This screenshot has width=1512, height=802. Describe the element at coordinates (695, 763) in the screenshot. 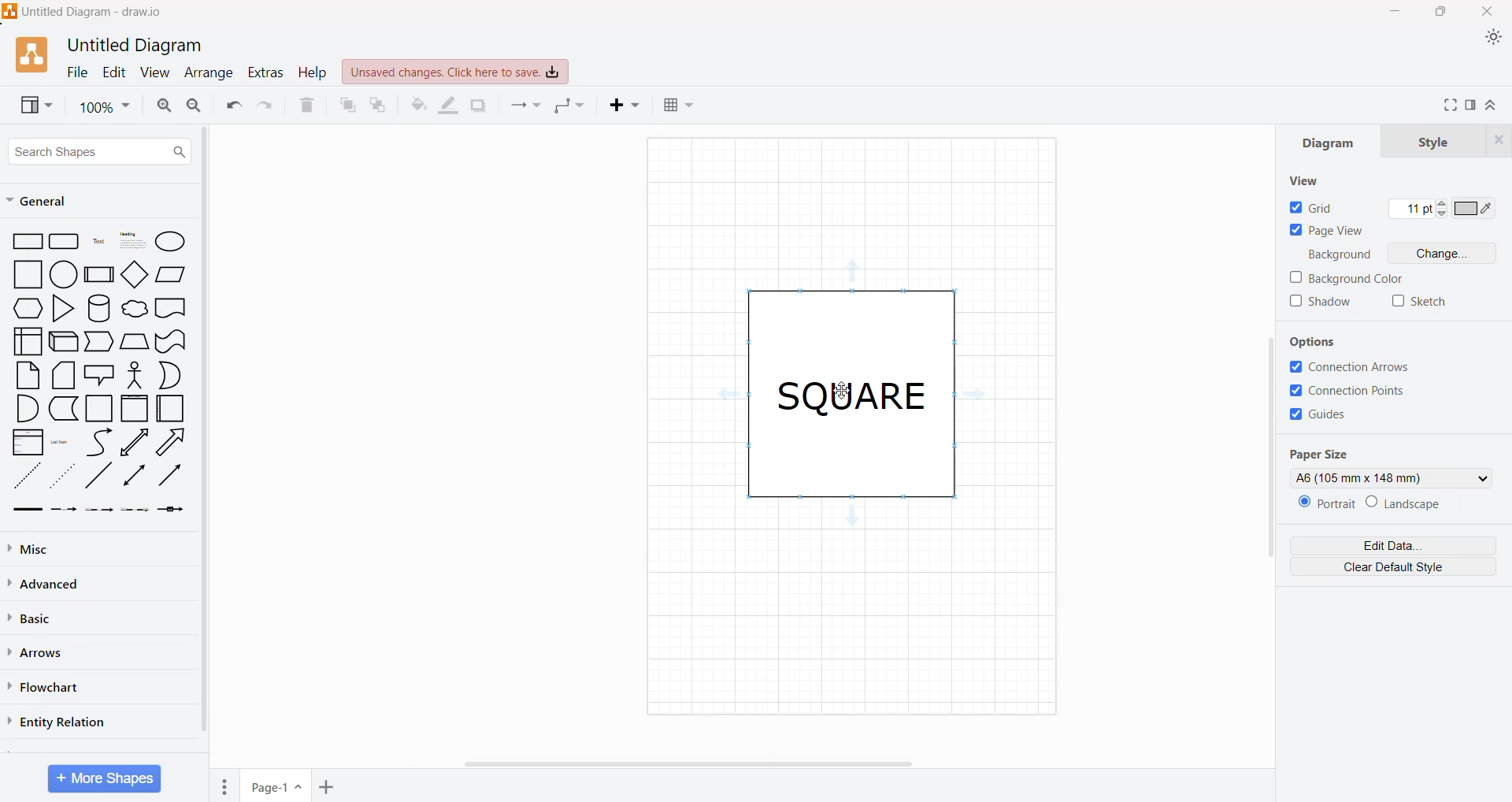

I see `Horizontal Scroll Bar` at that location.